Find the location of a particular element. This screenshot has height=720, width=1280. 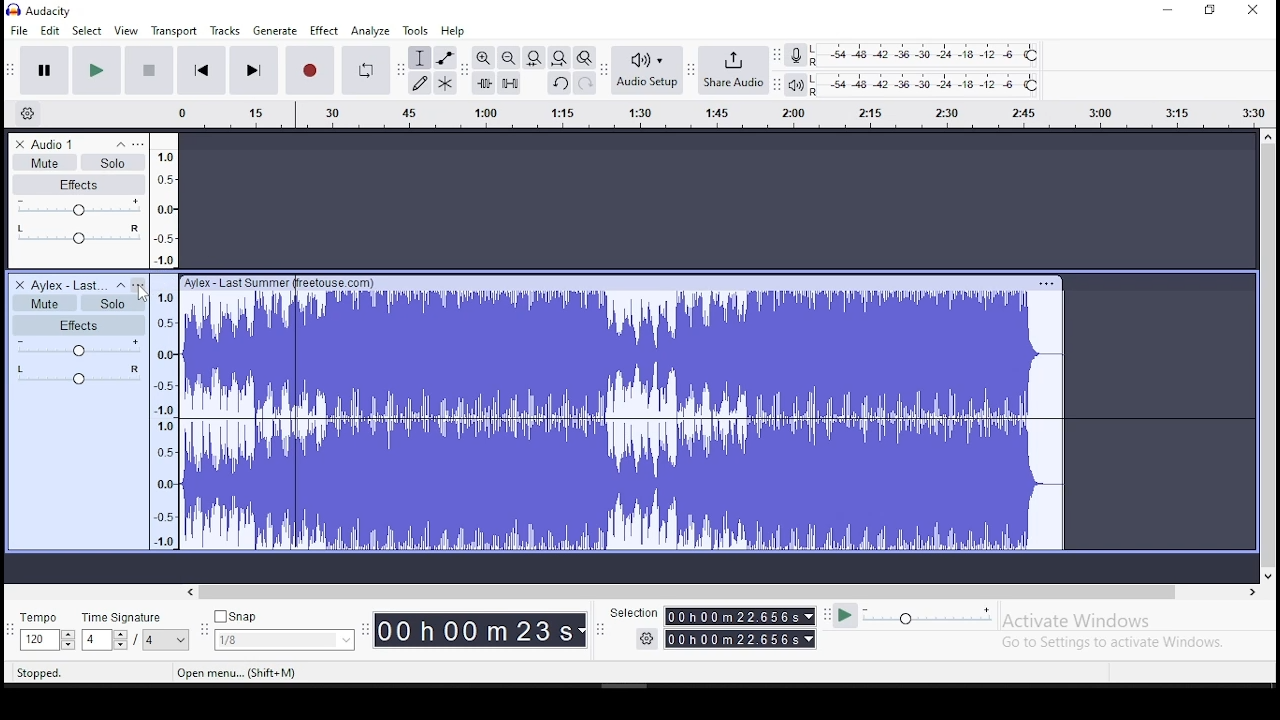

tempo is located at coordinates (47, 640).